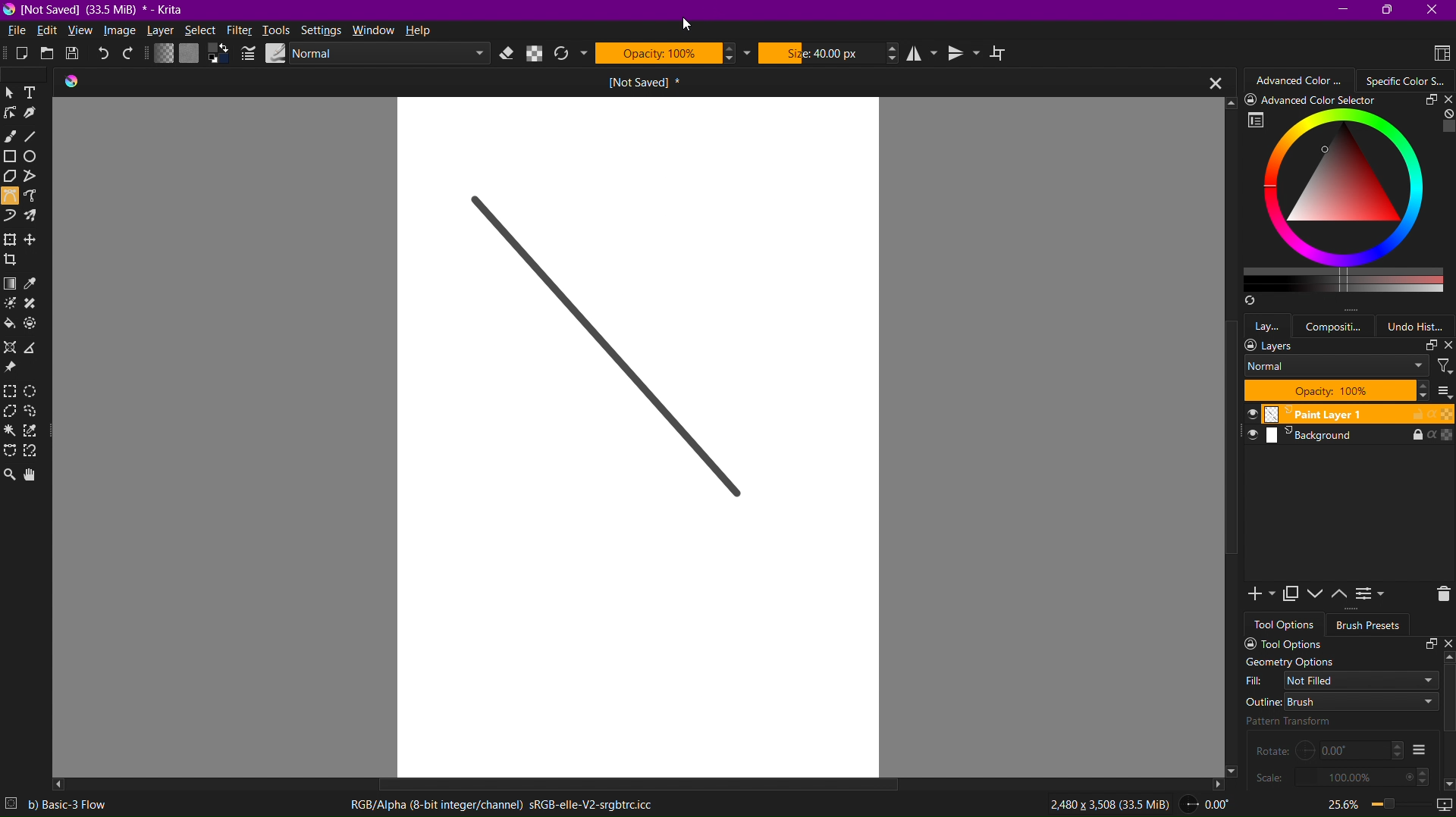 This screenshot has height=817, width=1456. What do you see at coordinates (121, 32) in the screenshot?
I see `Image` at bounding box center [121, 32].